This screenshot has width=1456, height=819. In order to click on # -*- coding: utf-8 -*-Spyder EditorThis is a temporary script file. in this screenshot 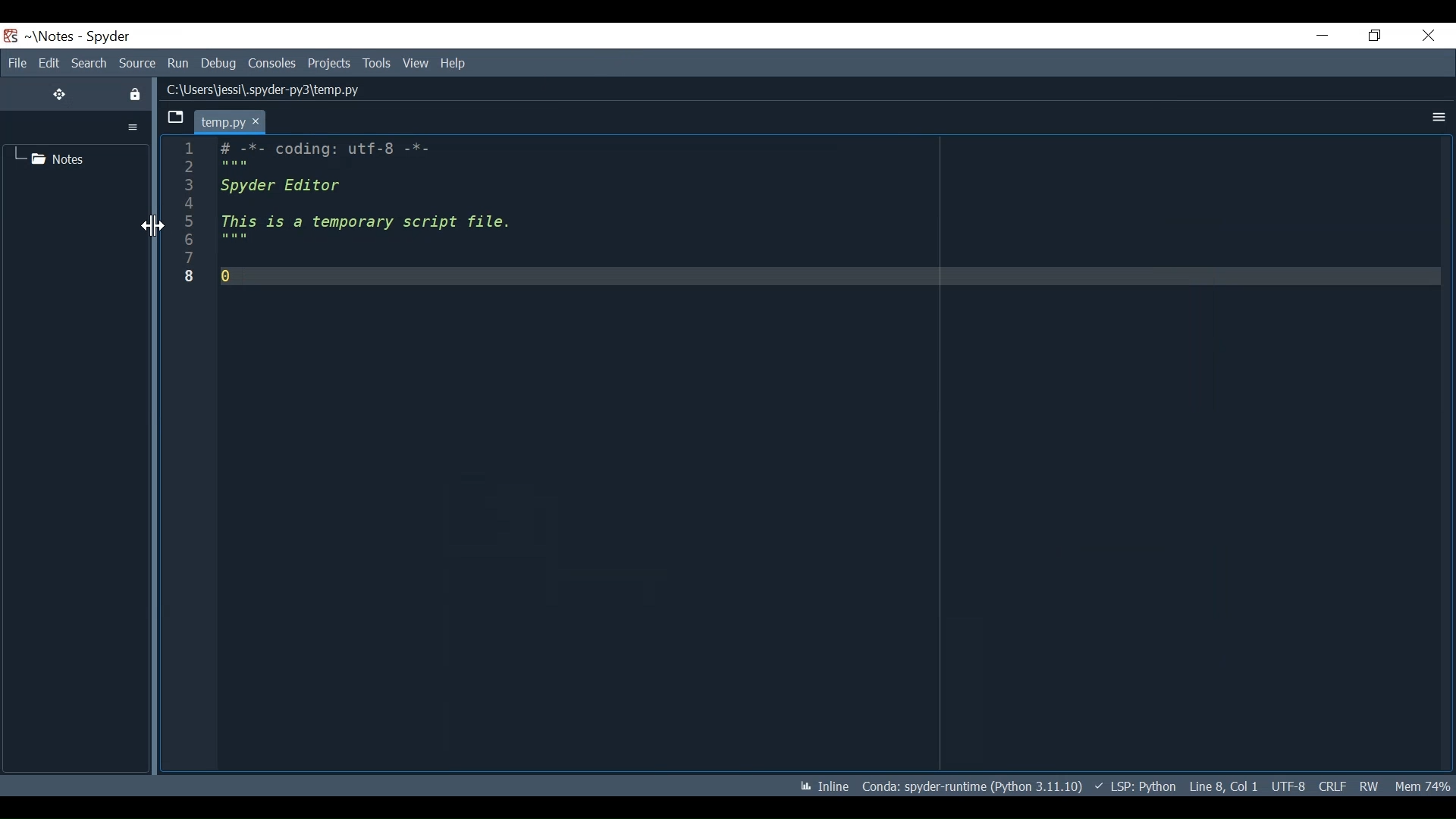, I will do `click(581, 226)`.